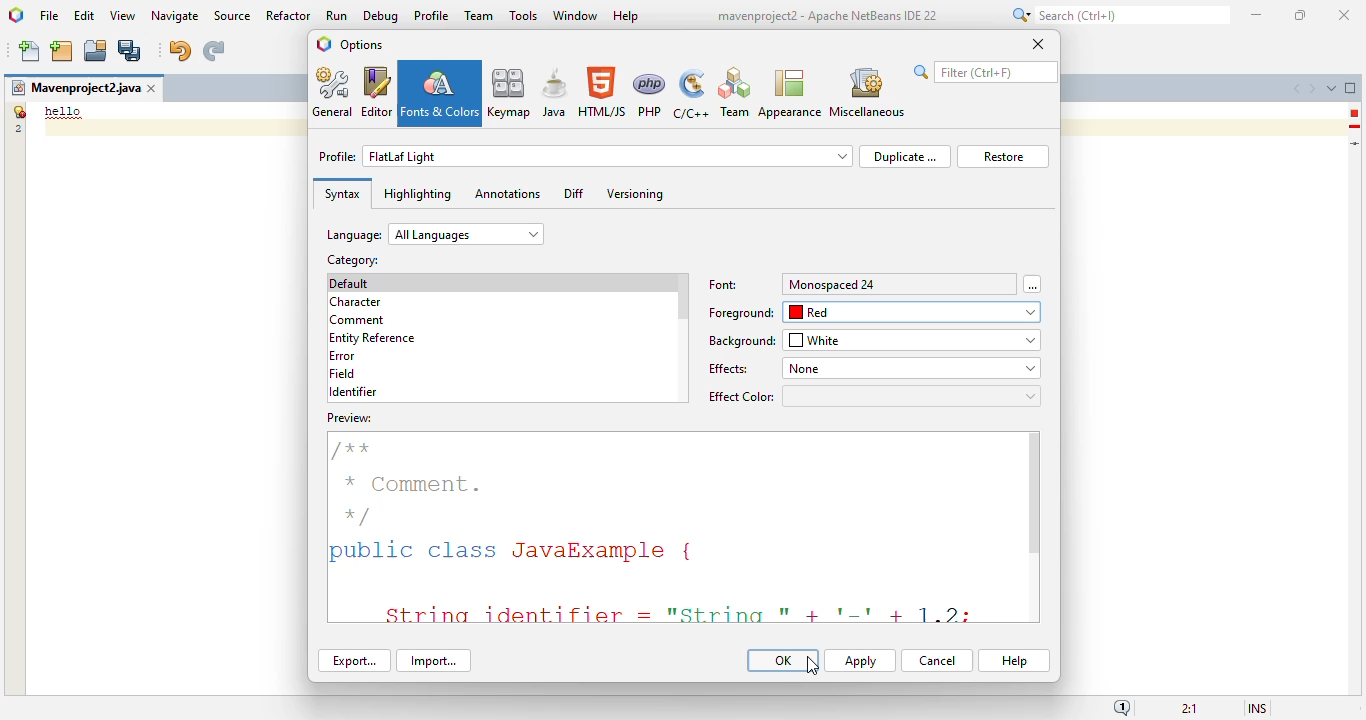 This screenshot has height=720, width=1366. What do you see at coordinates (783, 660) in the screenshot?
I see `OK` at bounding box center [783, 660].